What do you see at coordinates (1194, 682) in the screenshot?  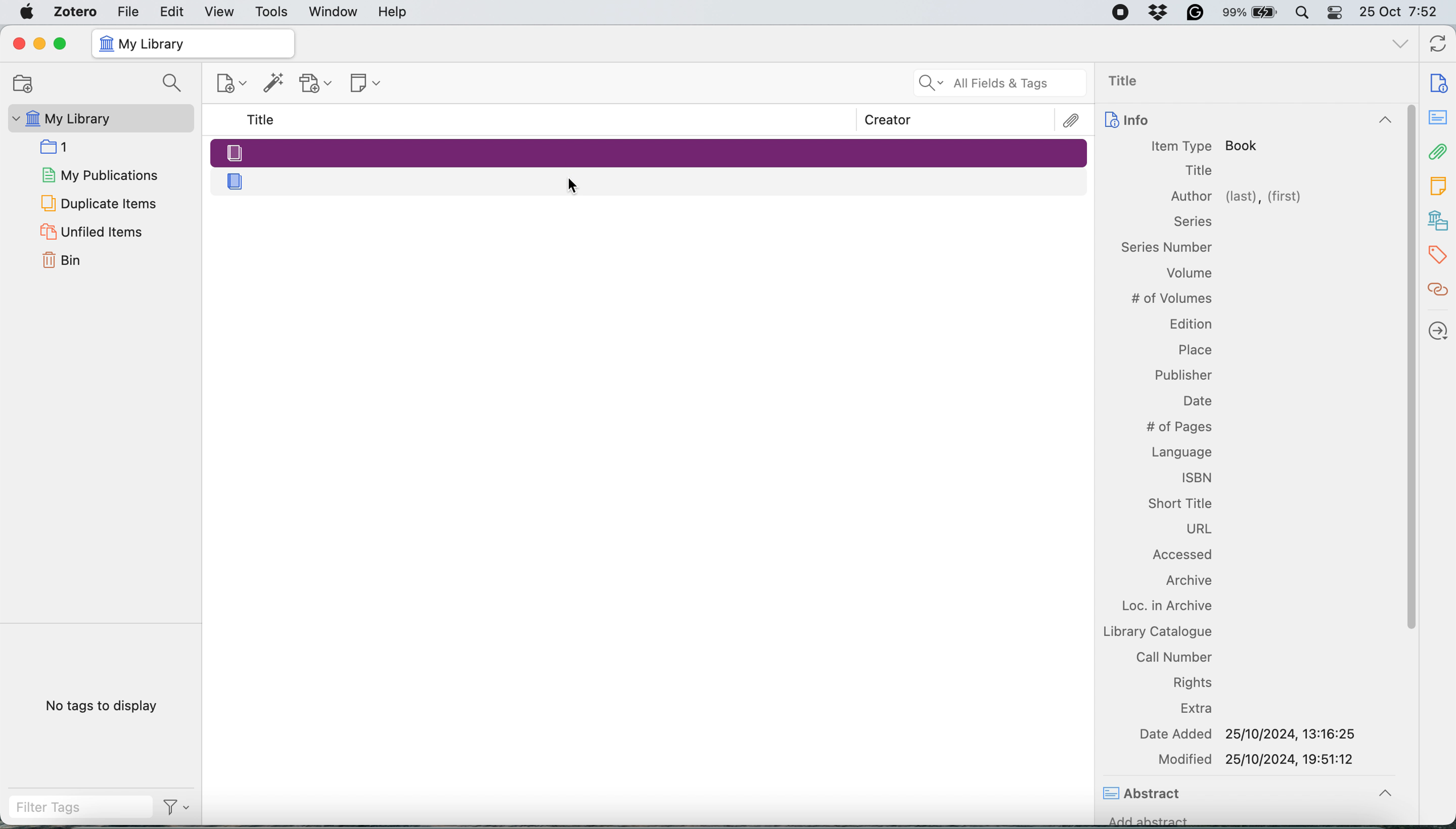 I see `Rights` at bounding box center [1194, 682].